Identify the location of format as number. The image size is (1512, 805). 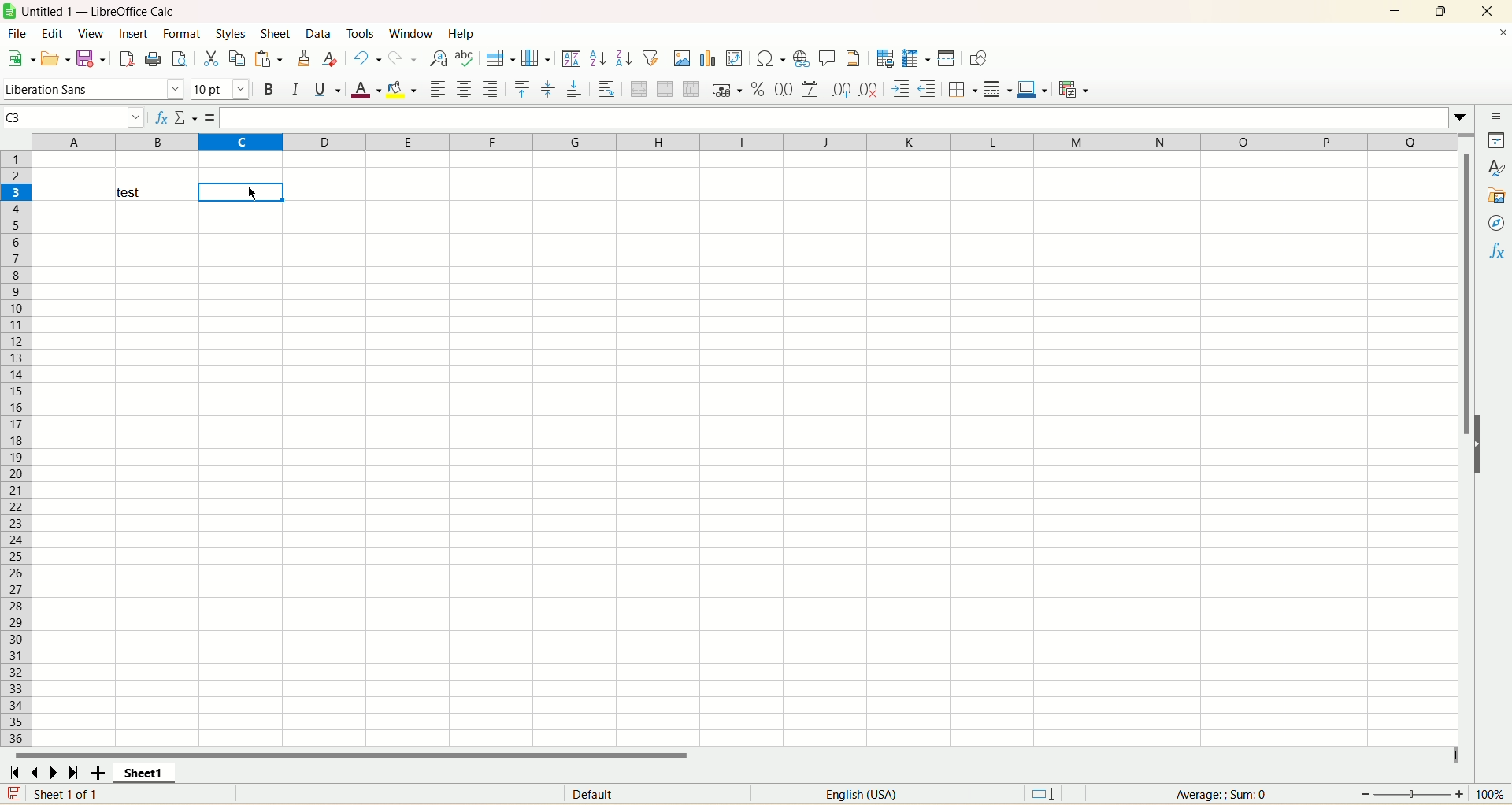
(810, 89).